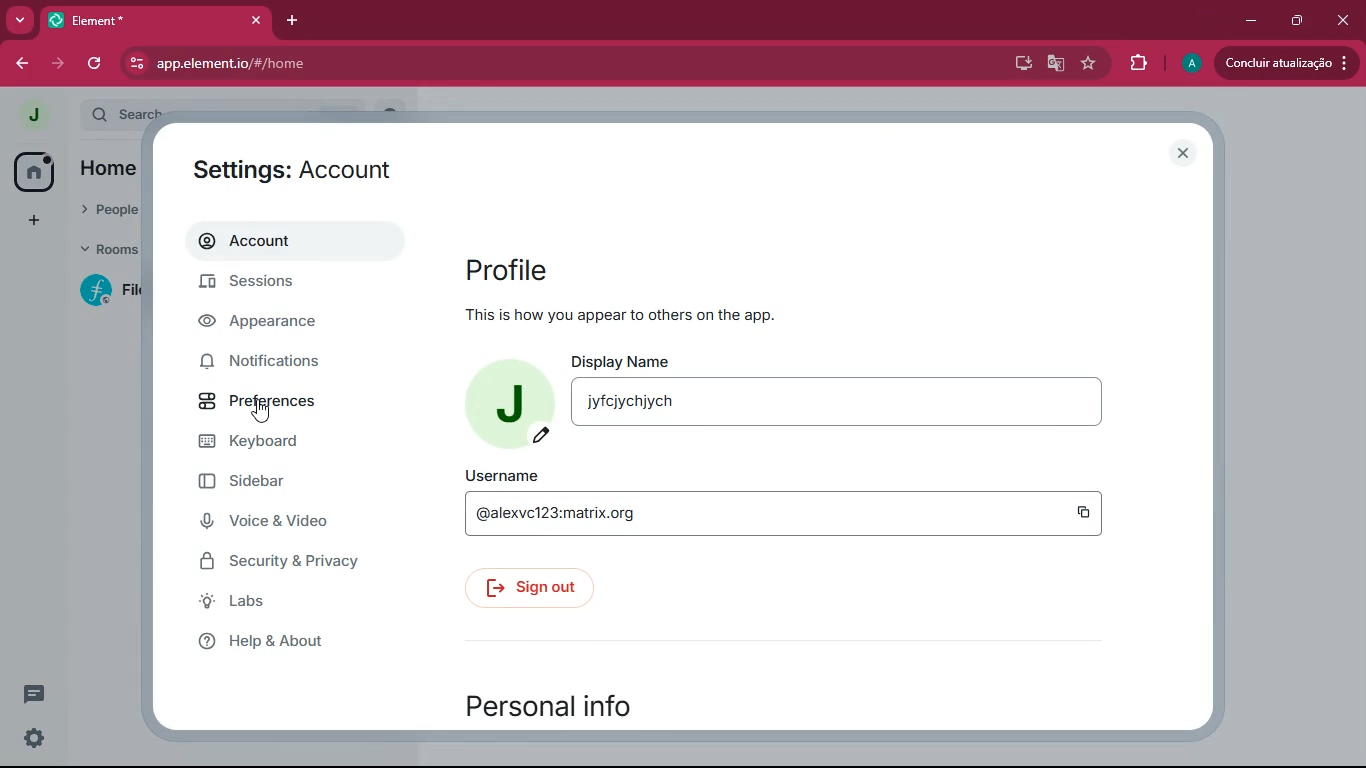 Image resolution: width=1366 pixels, height=768 pixels. Describe the element at coordinates (1087, 65) in the screenshot. I see `favourite ` at that location.